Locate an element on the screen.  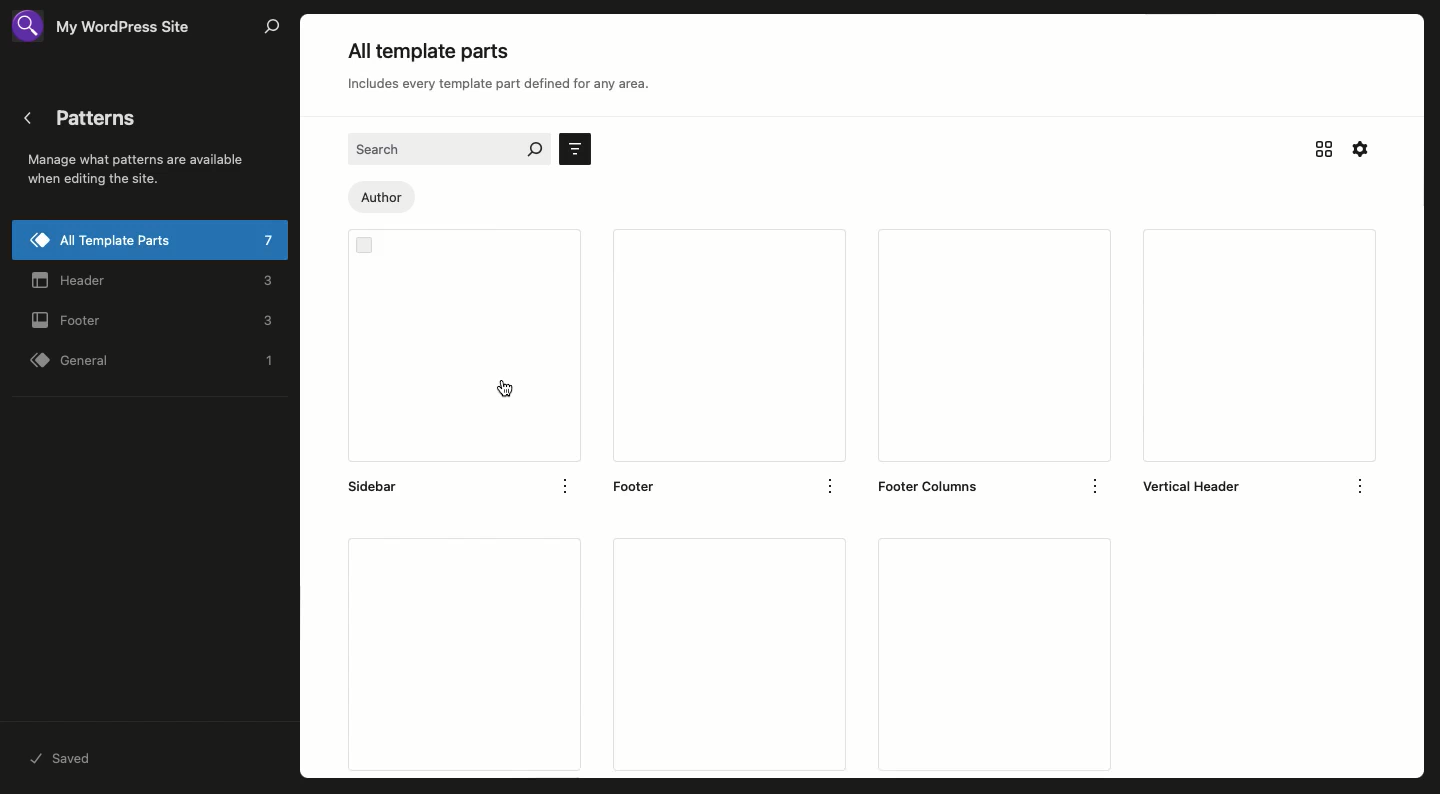
options is located at coordinates (834, 485).